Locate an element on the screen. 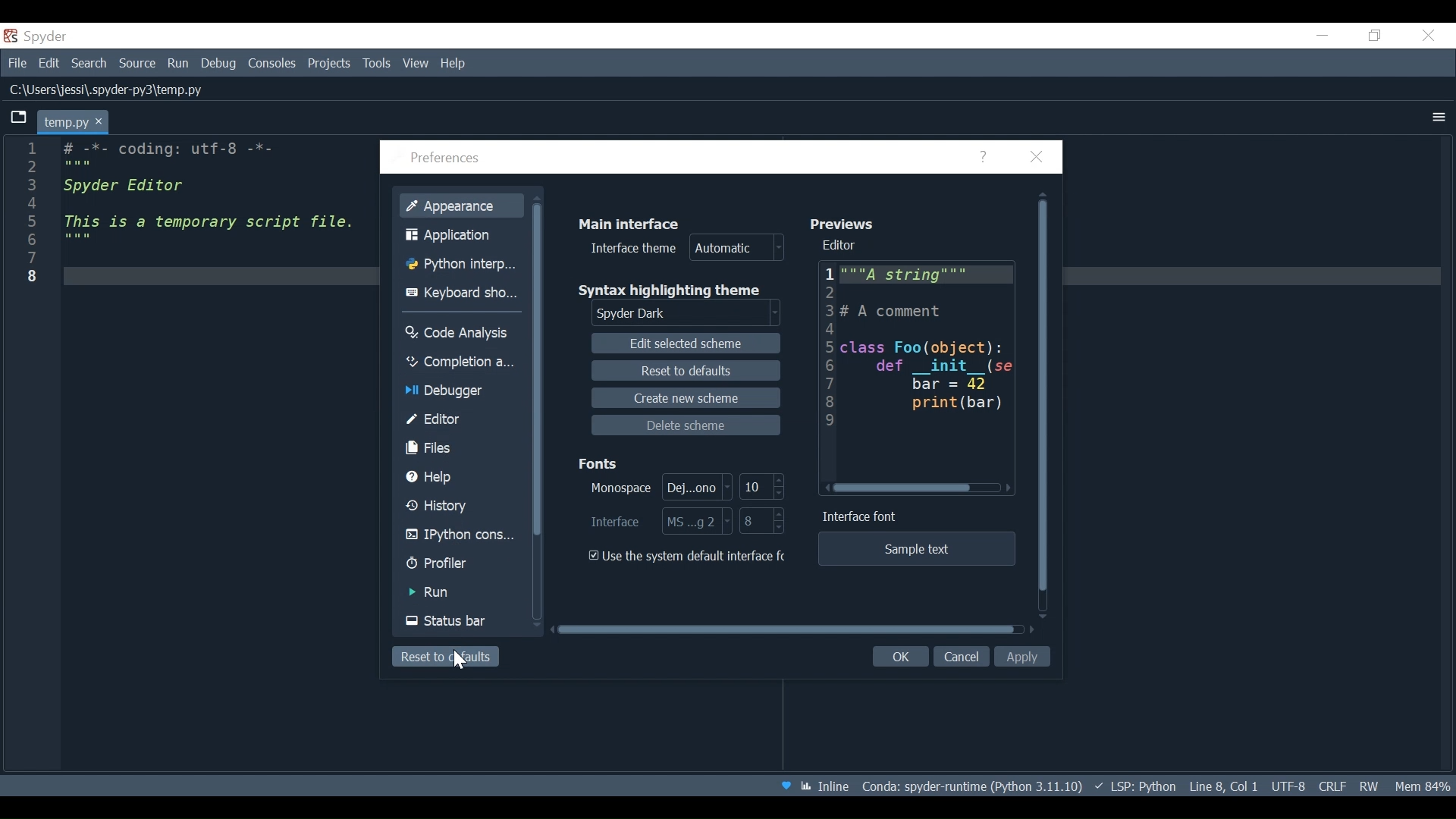 This screenshot has height=819, width=1456. OK is located at coordinates (898, 657).